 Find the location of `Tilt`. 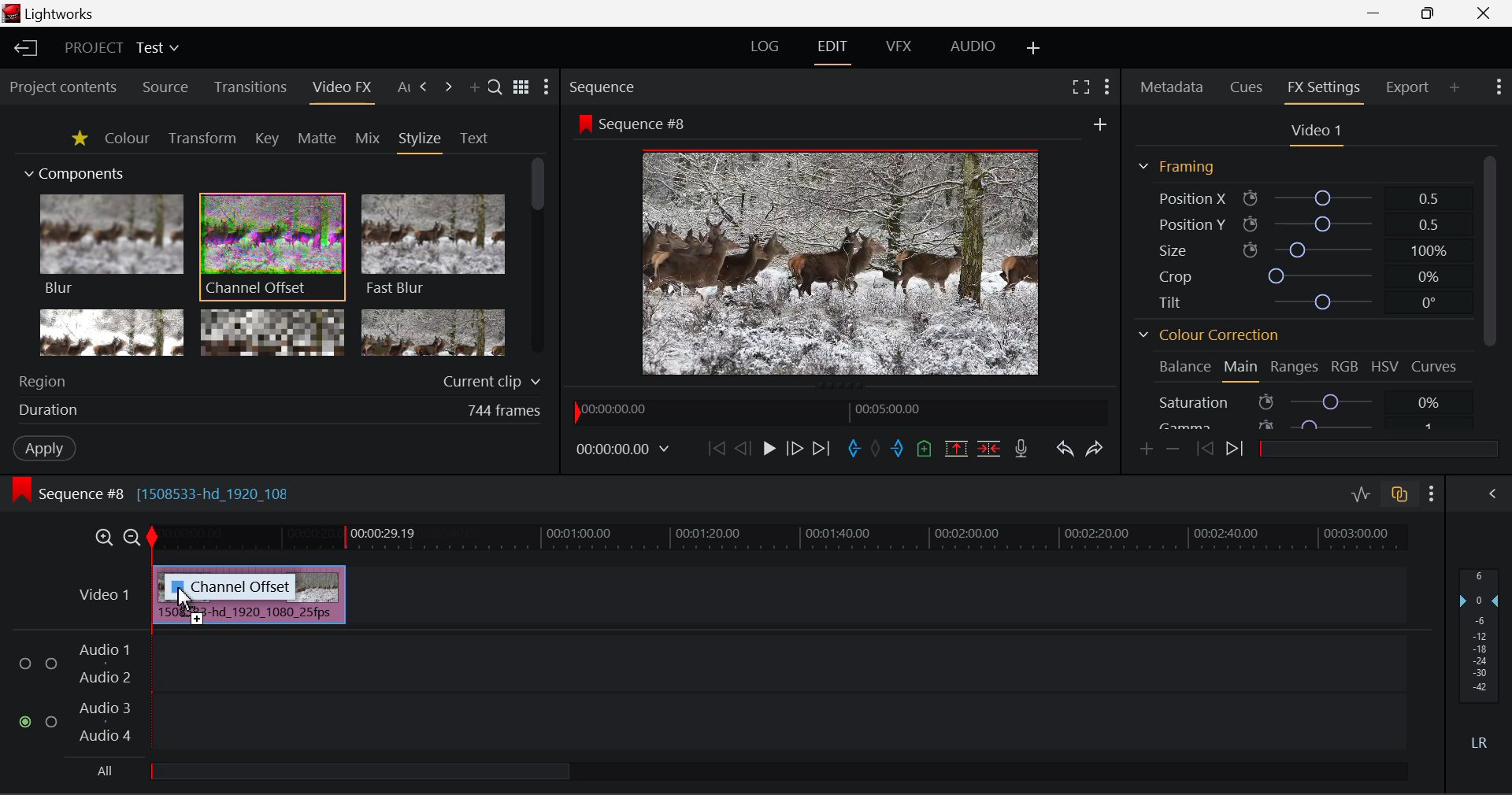

Tilt is located at coordinates (1306, 301).